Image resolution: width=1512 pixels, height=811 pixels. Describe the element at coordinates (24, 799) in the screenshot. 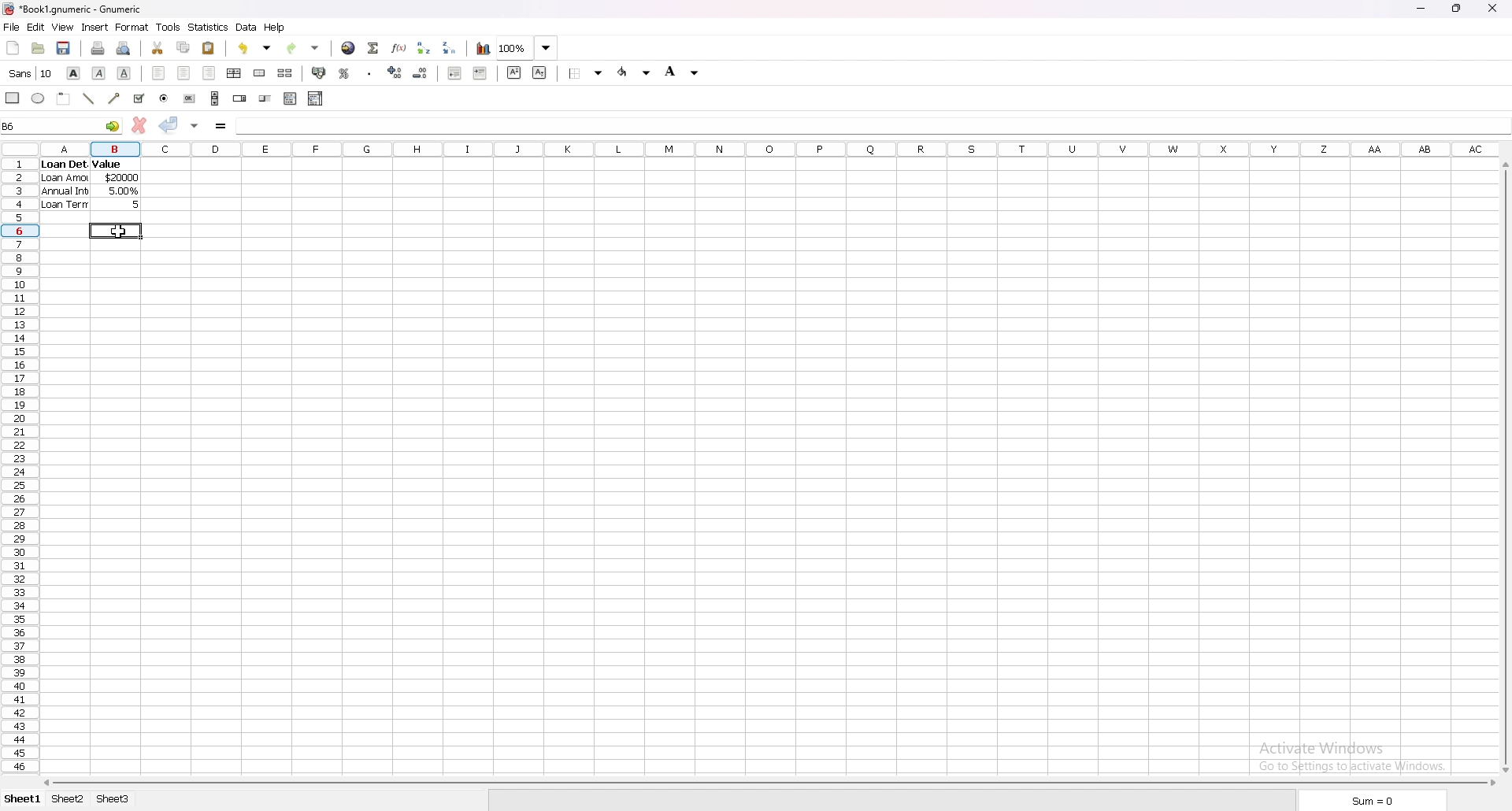

I see `sheet 1` at that location.